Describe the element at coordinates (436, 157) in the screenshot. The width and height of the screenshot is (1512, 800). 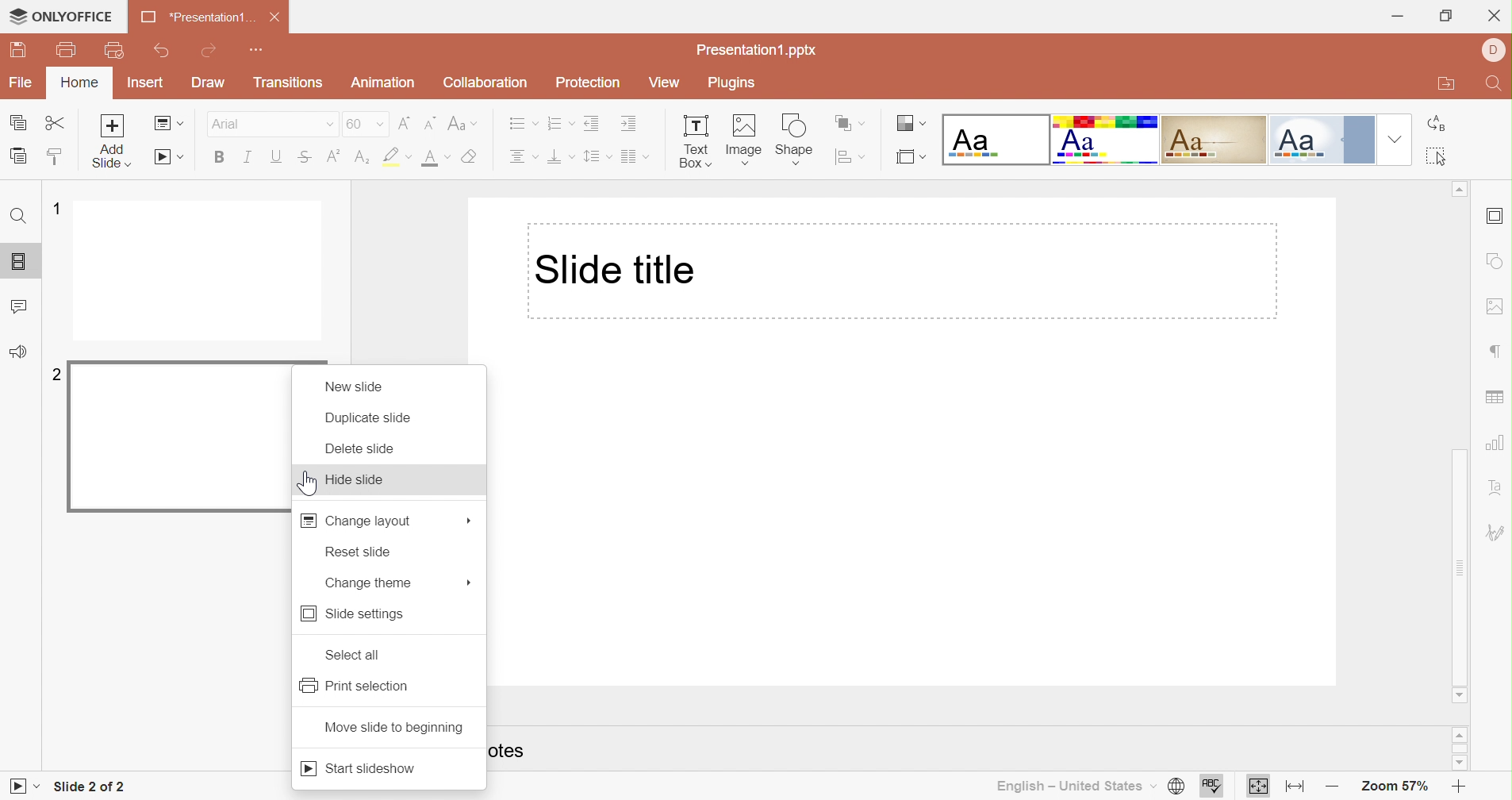
I see `Font color` at that location.